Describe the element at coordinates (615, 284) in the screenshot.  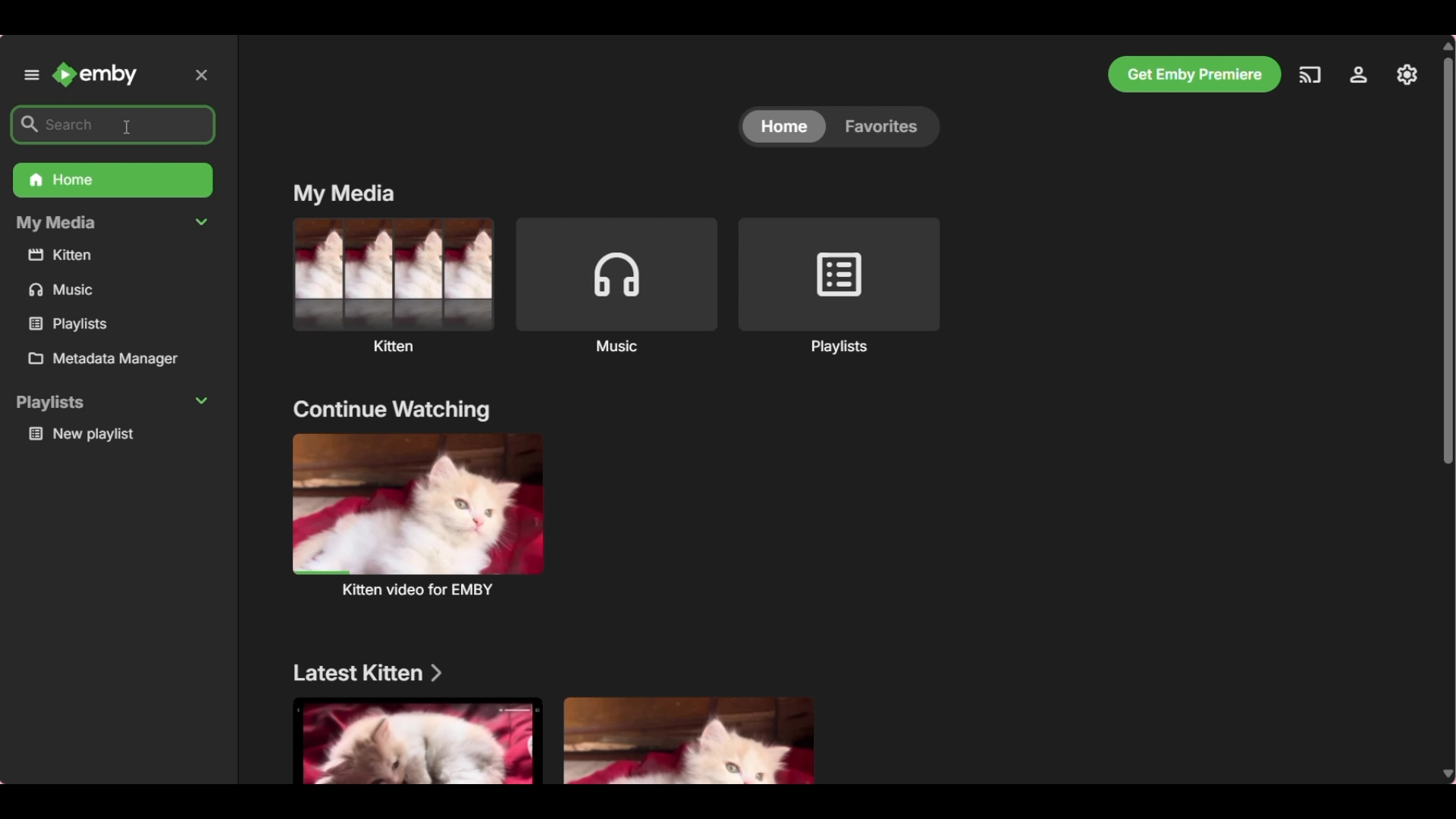
I see `Music` at that location.